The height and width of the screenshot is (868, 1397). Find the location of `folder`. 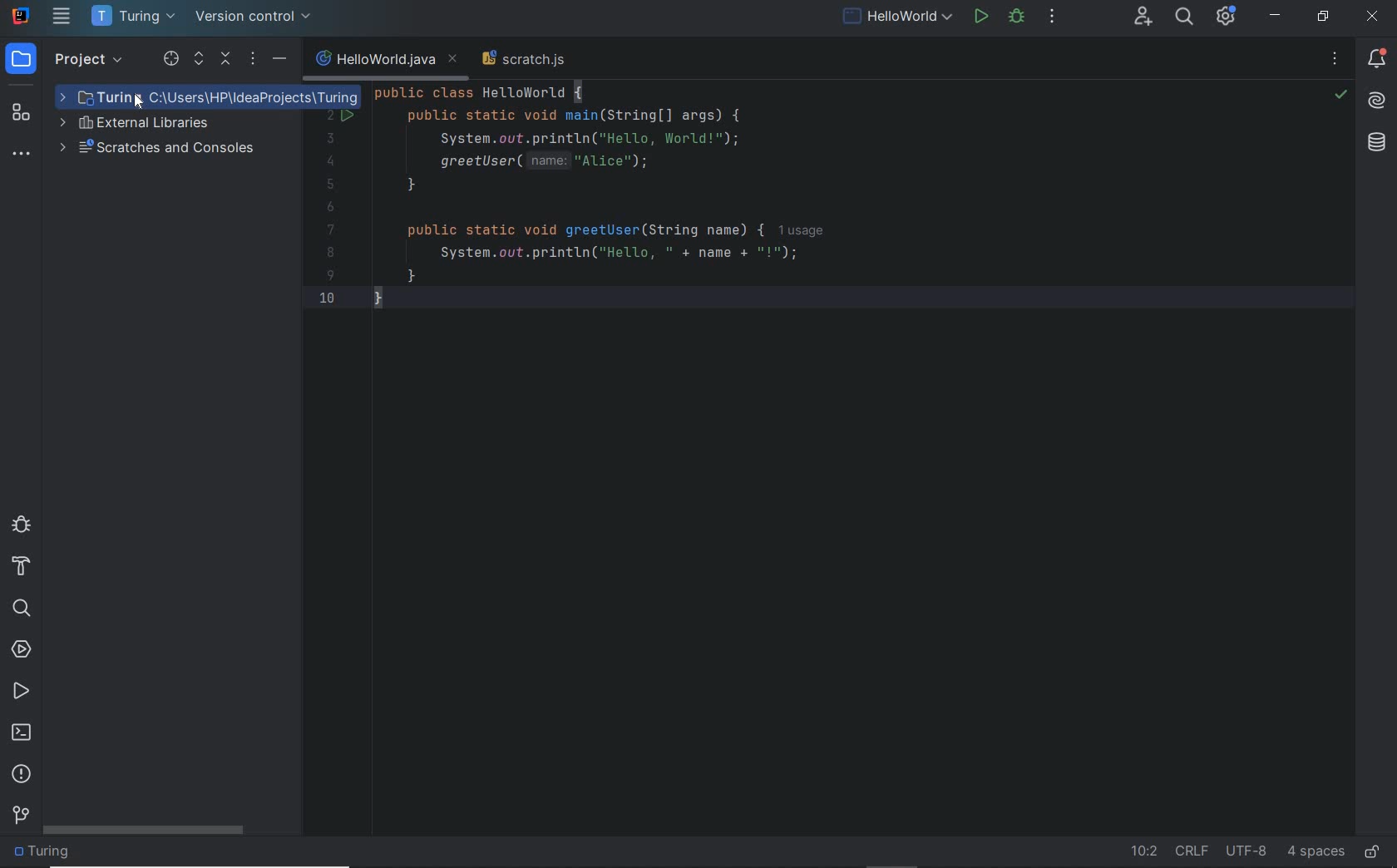

folder is located at coordinates (50, 853).